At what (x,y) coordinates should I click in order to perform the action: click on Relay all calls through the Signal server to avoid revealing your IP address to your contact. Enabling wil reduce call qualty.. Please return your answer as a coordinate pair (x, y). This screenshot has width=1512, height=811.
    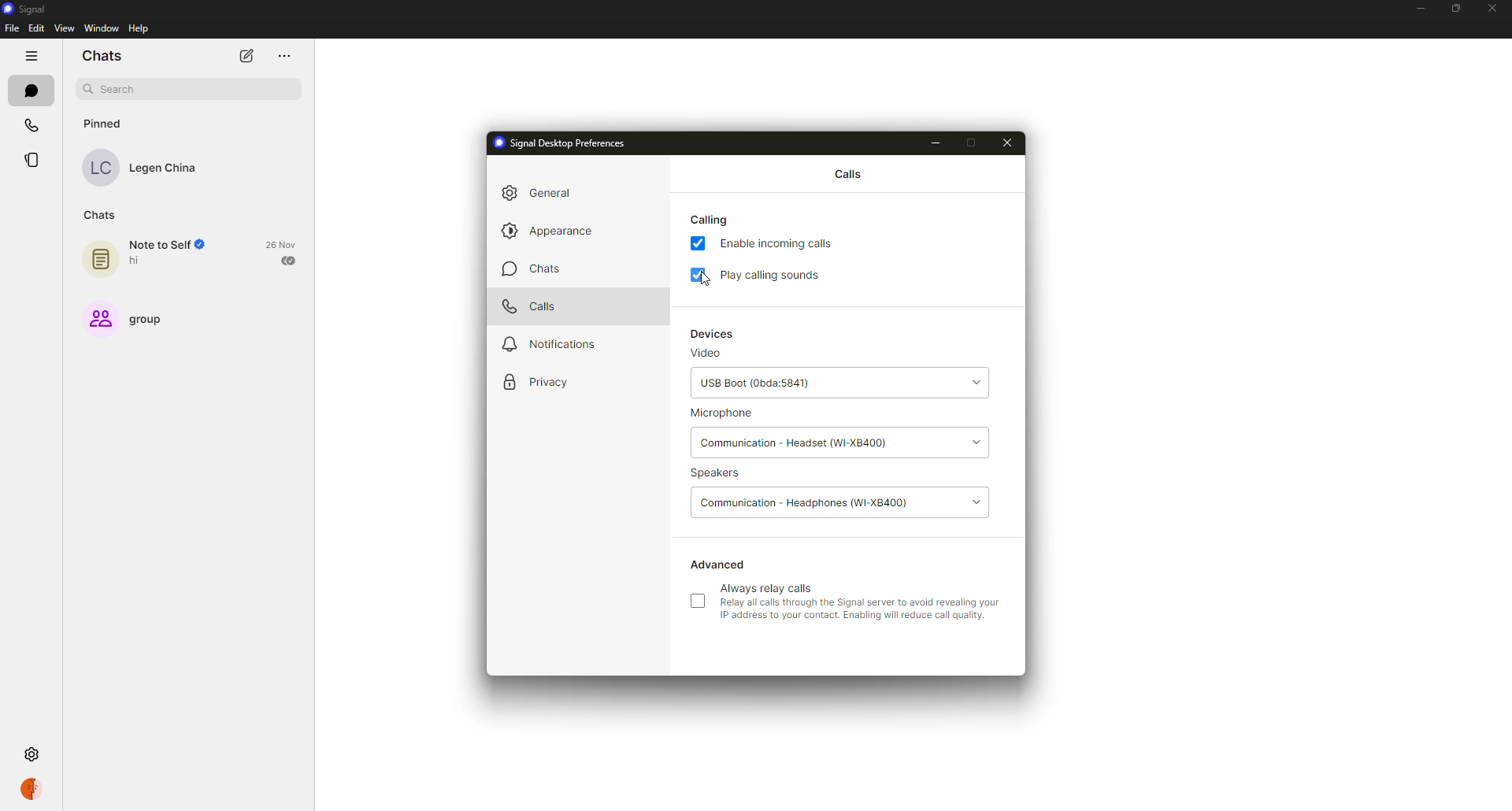
    Looking at the image, I should click on (860, 612).